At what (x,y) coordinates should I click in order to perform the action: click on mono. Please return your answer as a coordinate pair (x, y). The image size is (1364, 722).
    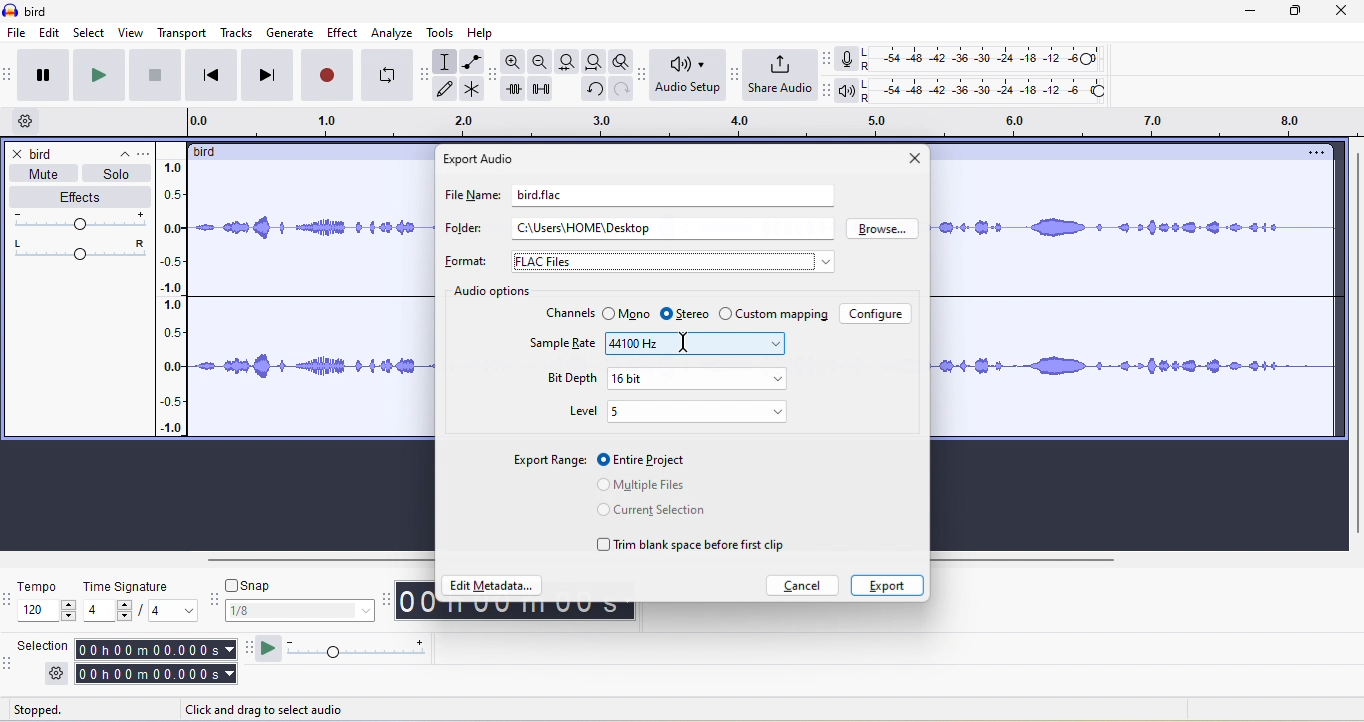
    Looking at the image, I should click on (625, 314).